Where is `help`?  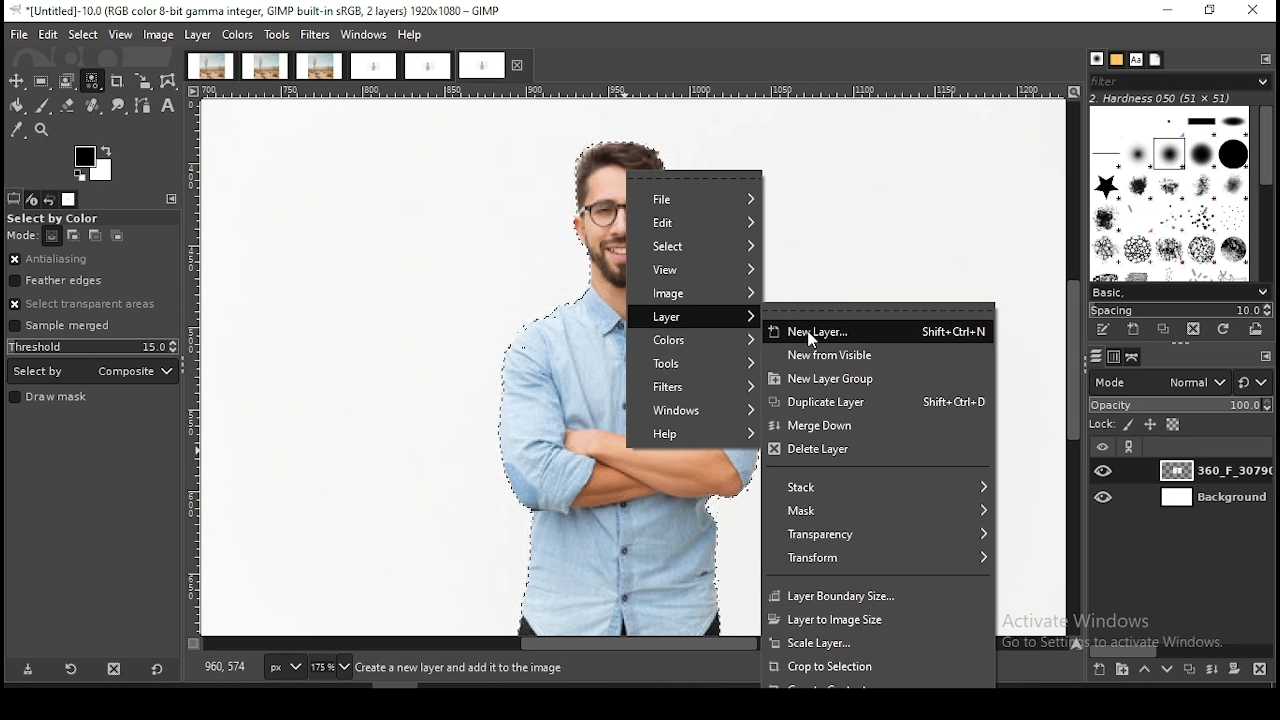 help is located at coordinates (412, 34).